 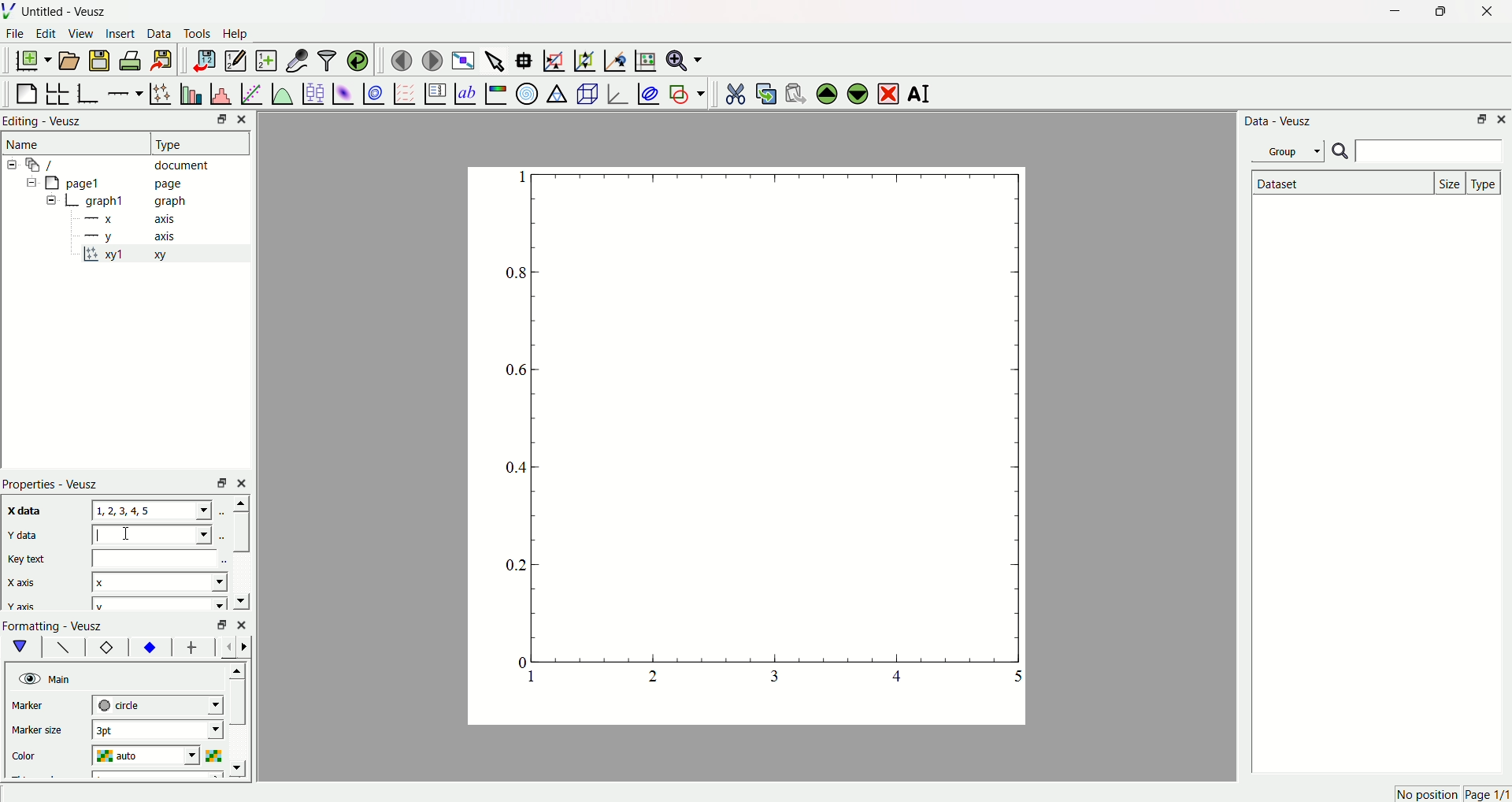 I want to click on Minimize, so click(x=1391, y=12).